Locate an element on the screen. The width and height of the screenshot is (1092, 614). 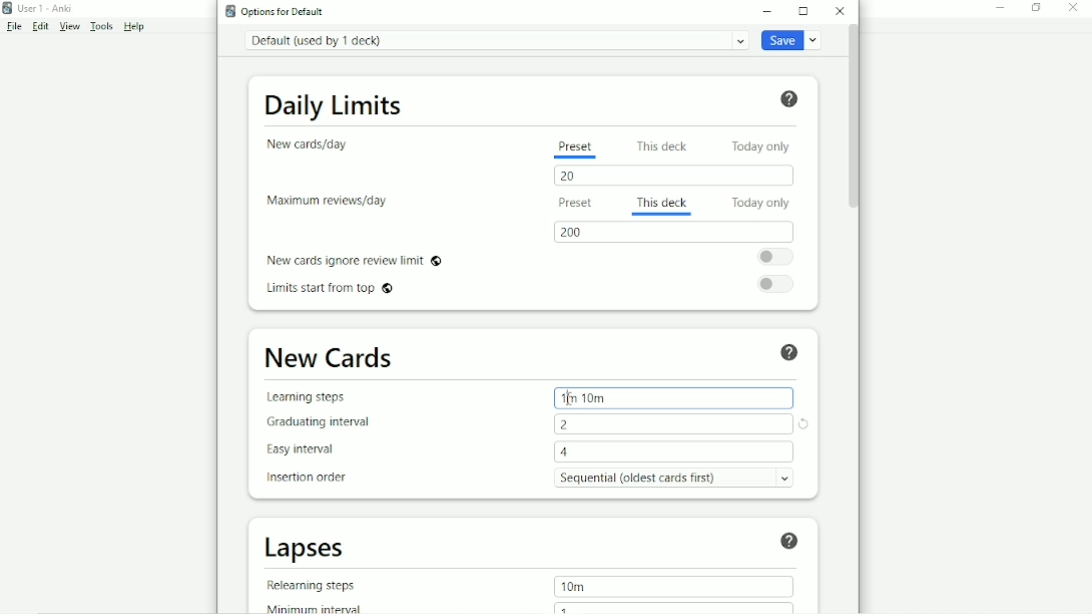
Cursor is located at coordinates (571, 396).